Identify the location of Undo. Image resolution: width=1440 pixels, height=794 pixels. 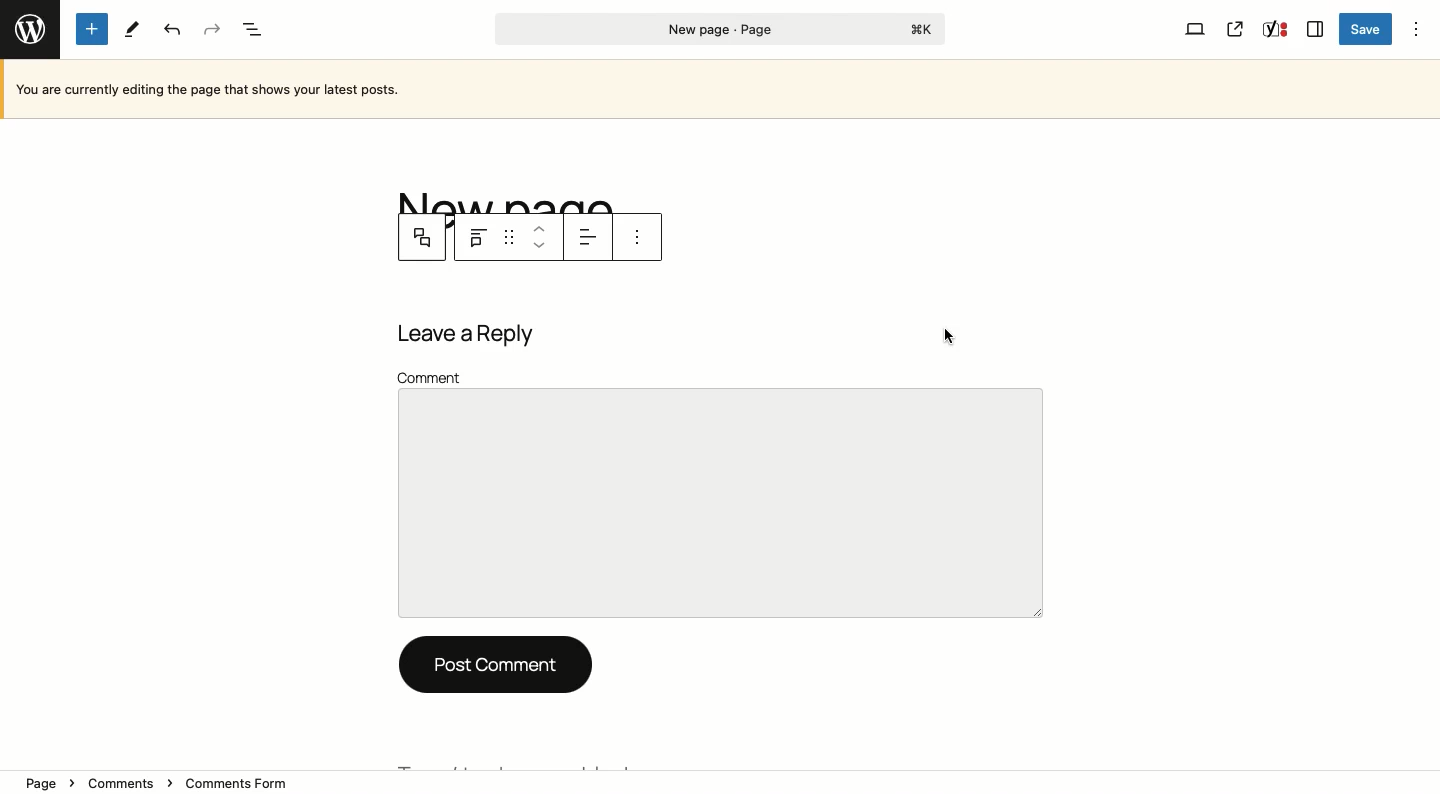
(172, 29).